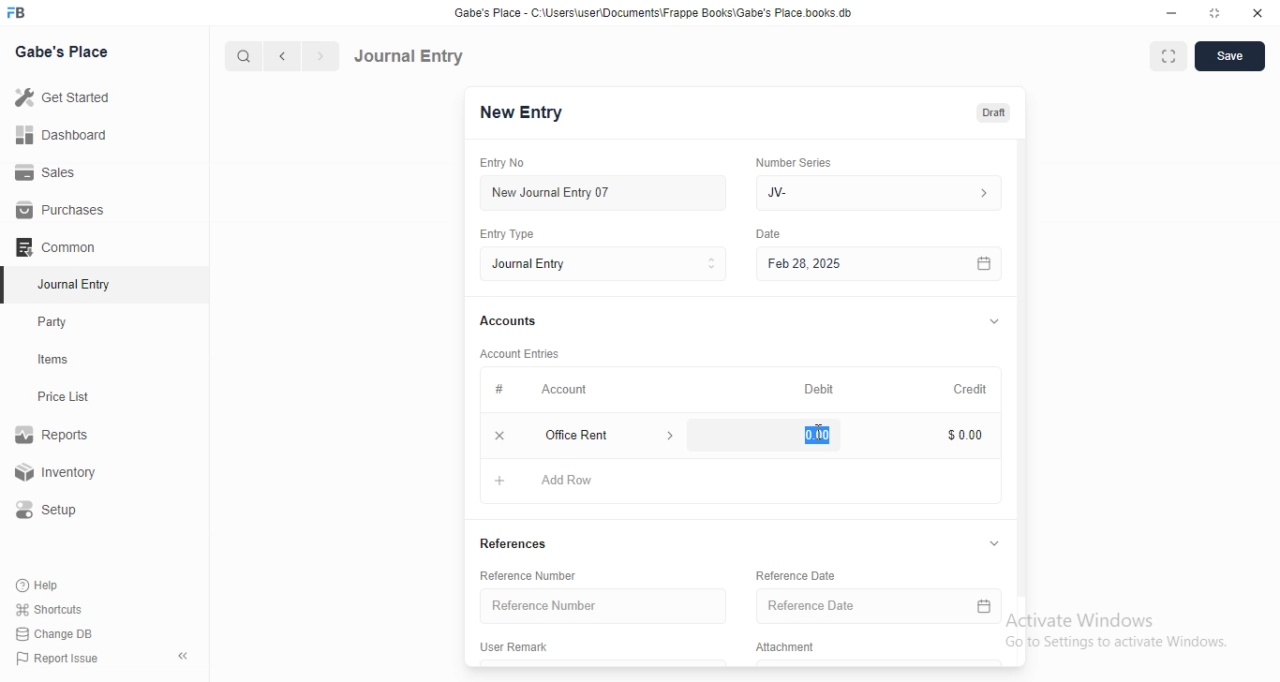  Describe the element at coordinates (517, 649) in the screenshot. I see `User Remark` at that location.